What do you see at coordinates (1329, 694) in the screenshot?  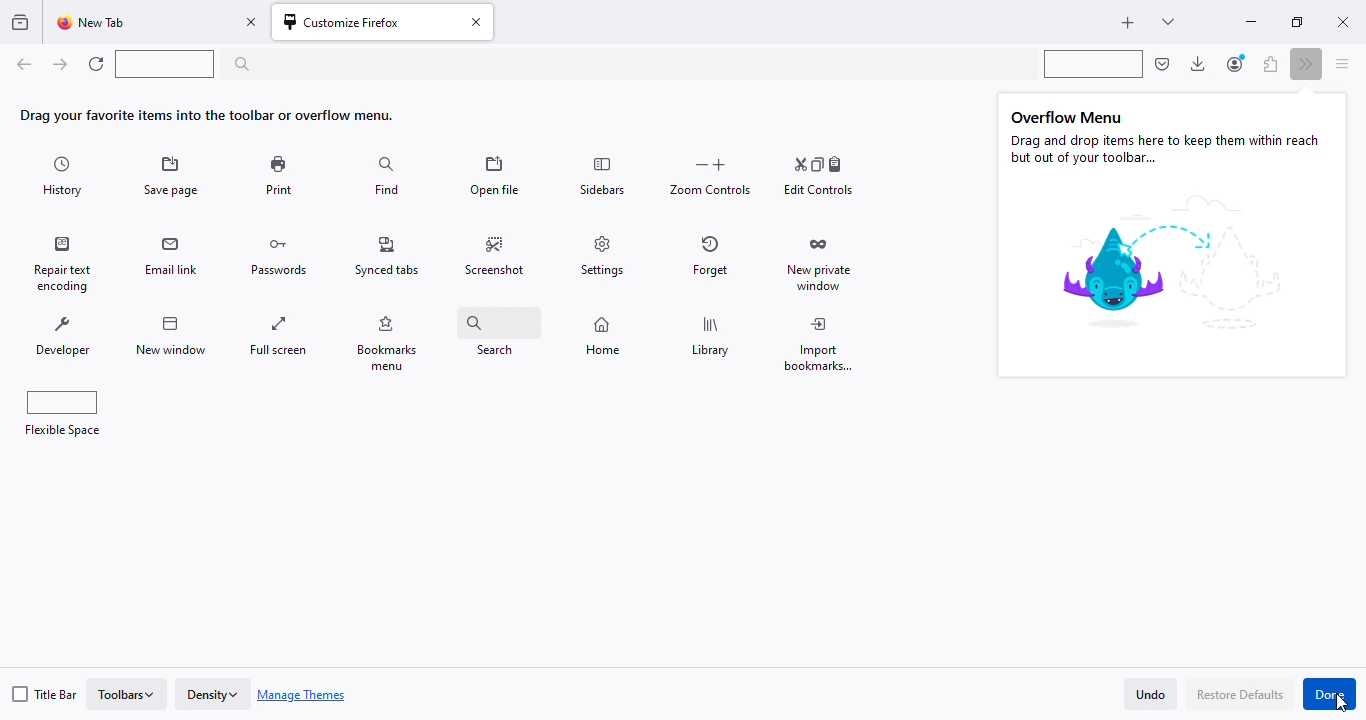 I see `done` at bounding box center [1329, 694].